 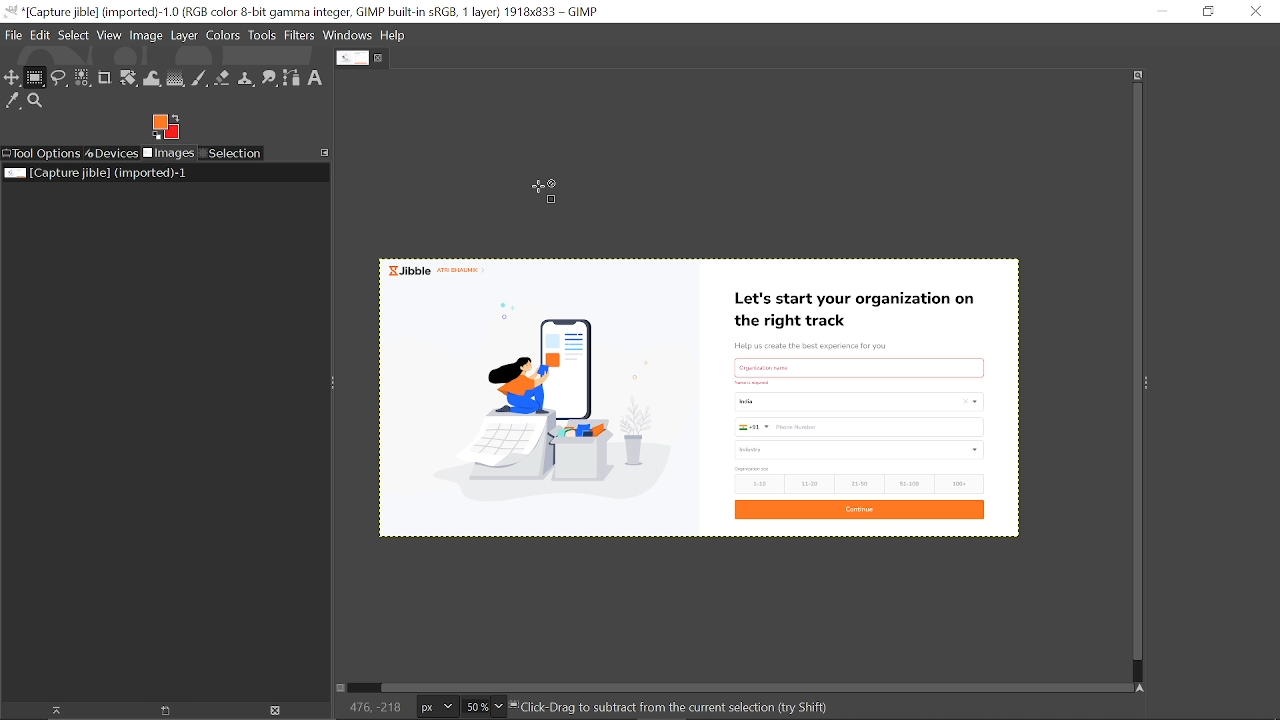 What do you see at coordinates (858, 427) in the screenshot?
I see `Phone Number` at bounding box center [858, 427].